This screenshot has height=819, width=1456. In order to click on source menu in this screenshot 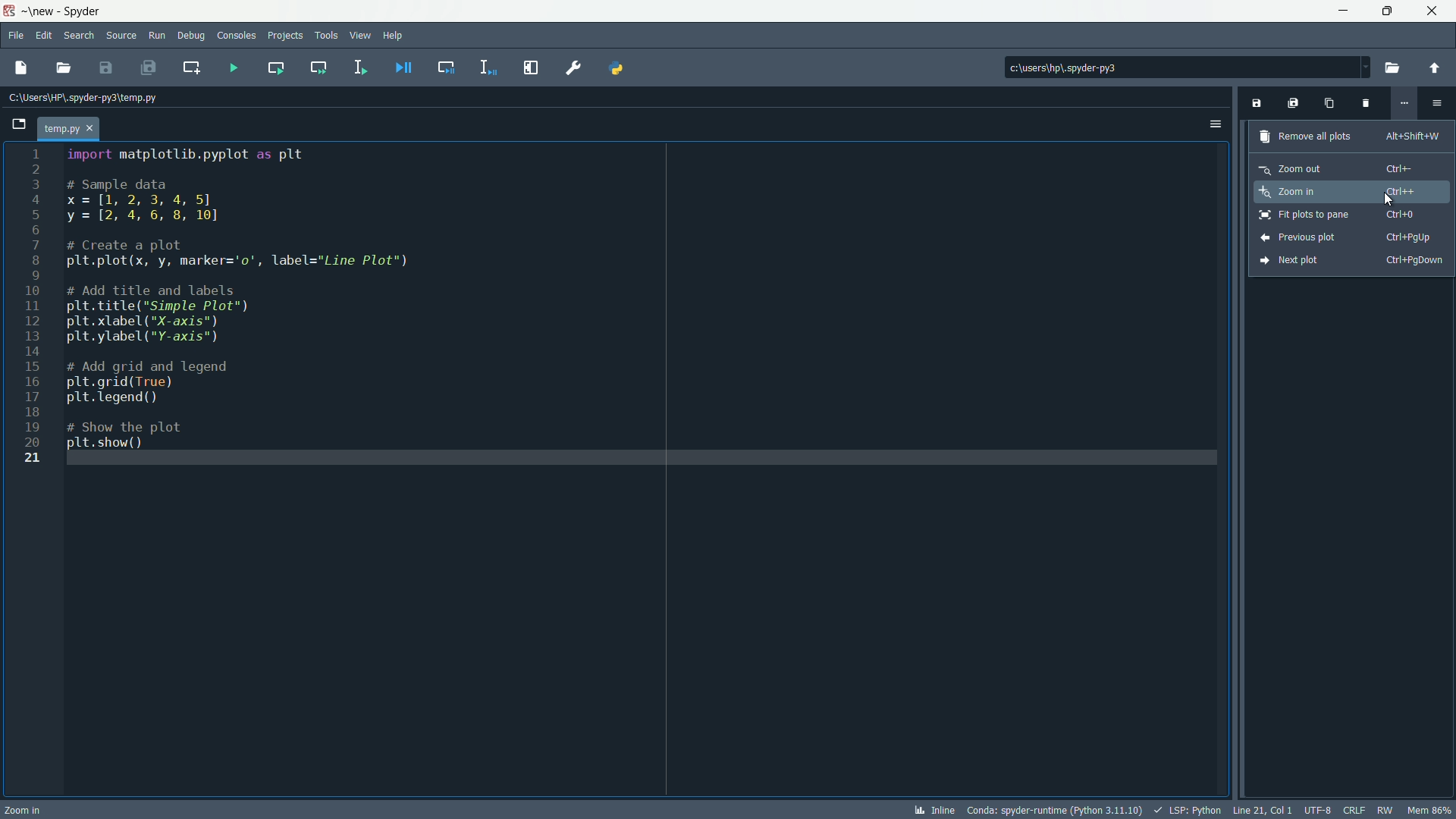, I will do `click(119, 36)`.